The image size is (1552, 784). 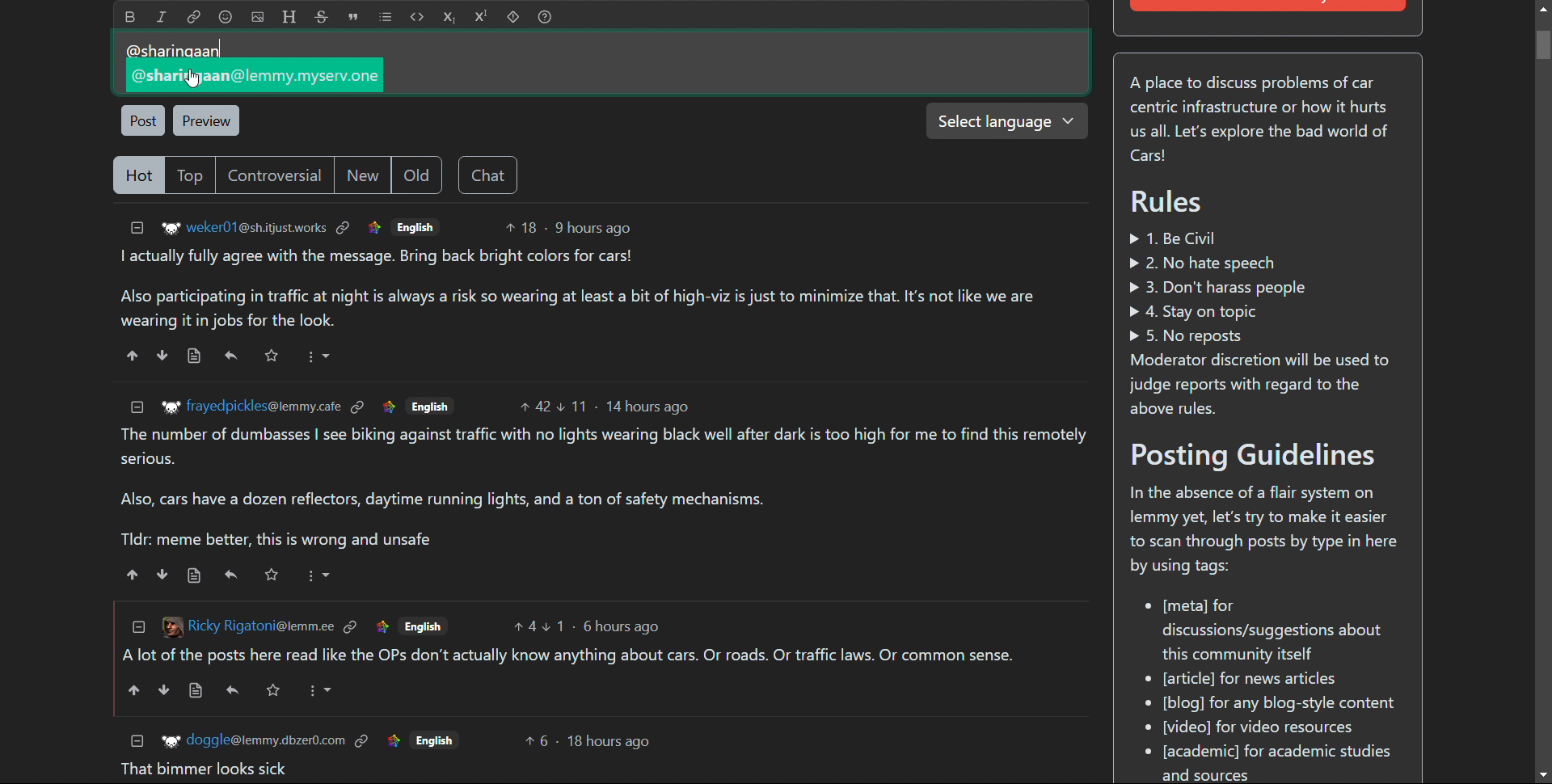 I want to click on upvotes 42, so click(x=536, y=404).